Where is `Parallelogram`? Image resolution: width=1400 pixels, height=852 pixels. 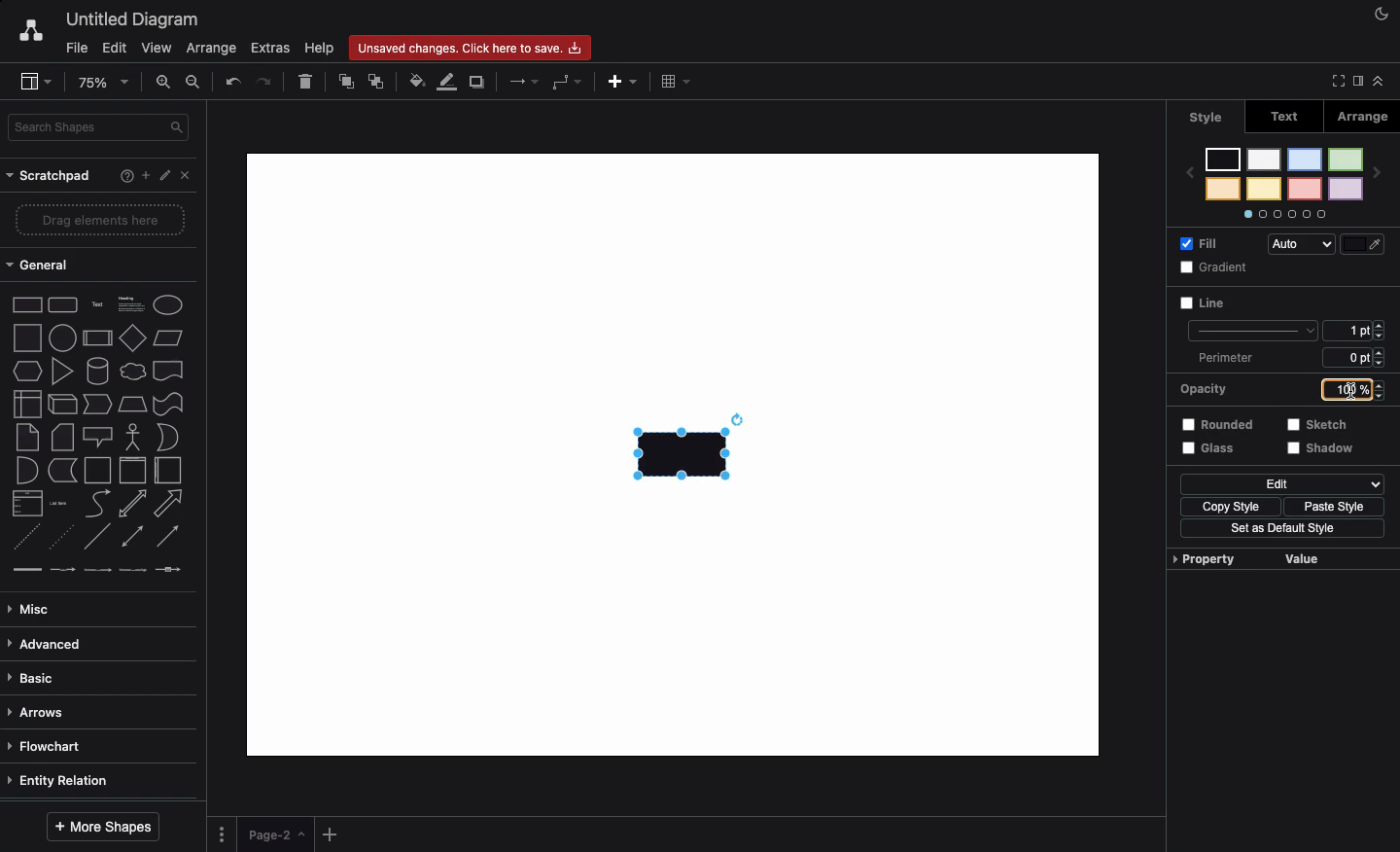 Parallelogram is located at coordinates (166, 337).